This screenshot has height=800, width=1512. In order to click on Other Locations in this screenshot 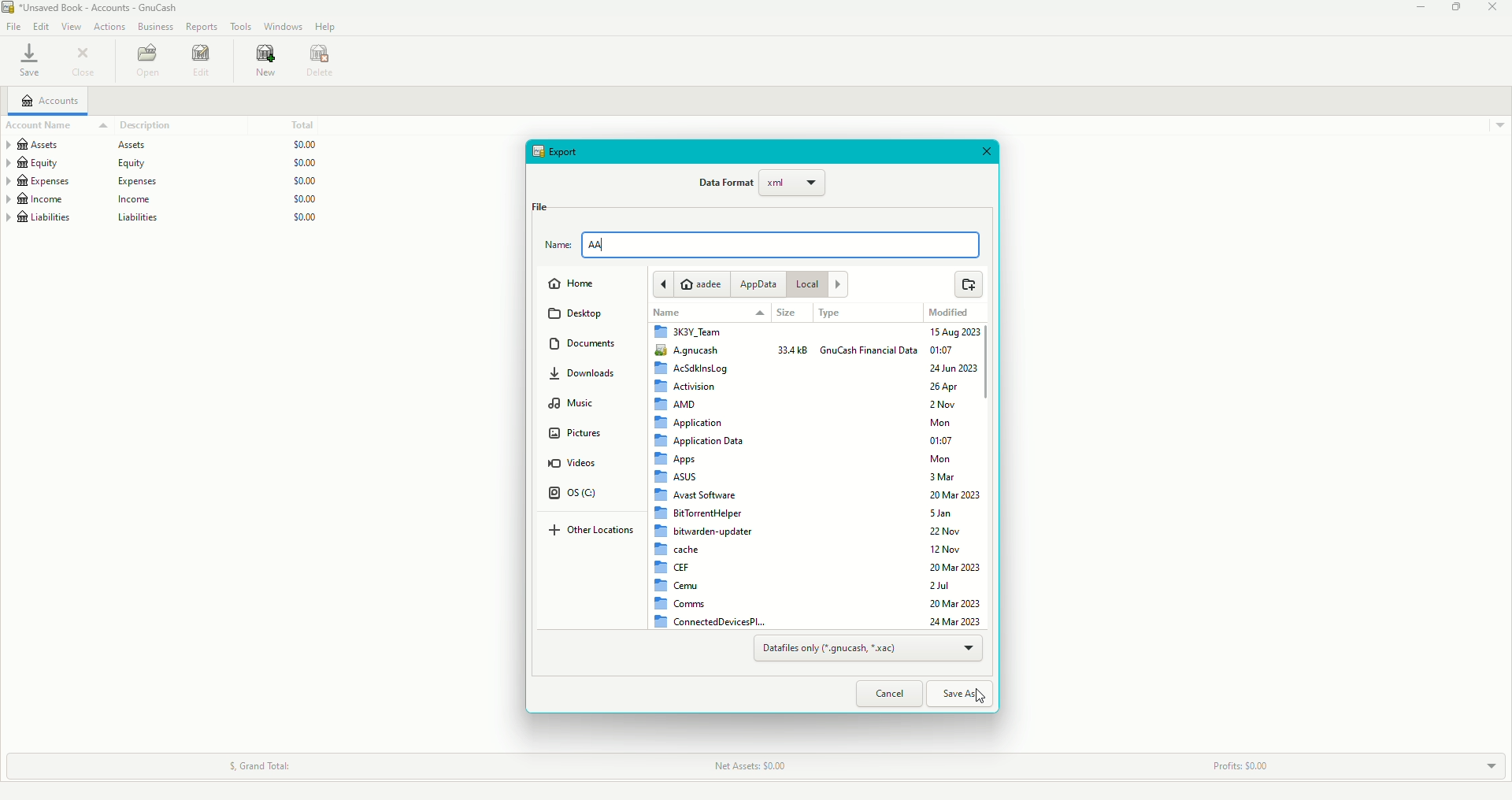, I will do `click(595, 531)`.